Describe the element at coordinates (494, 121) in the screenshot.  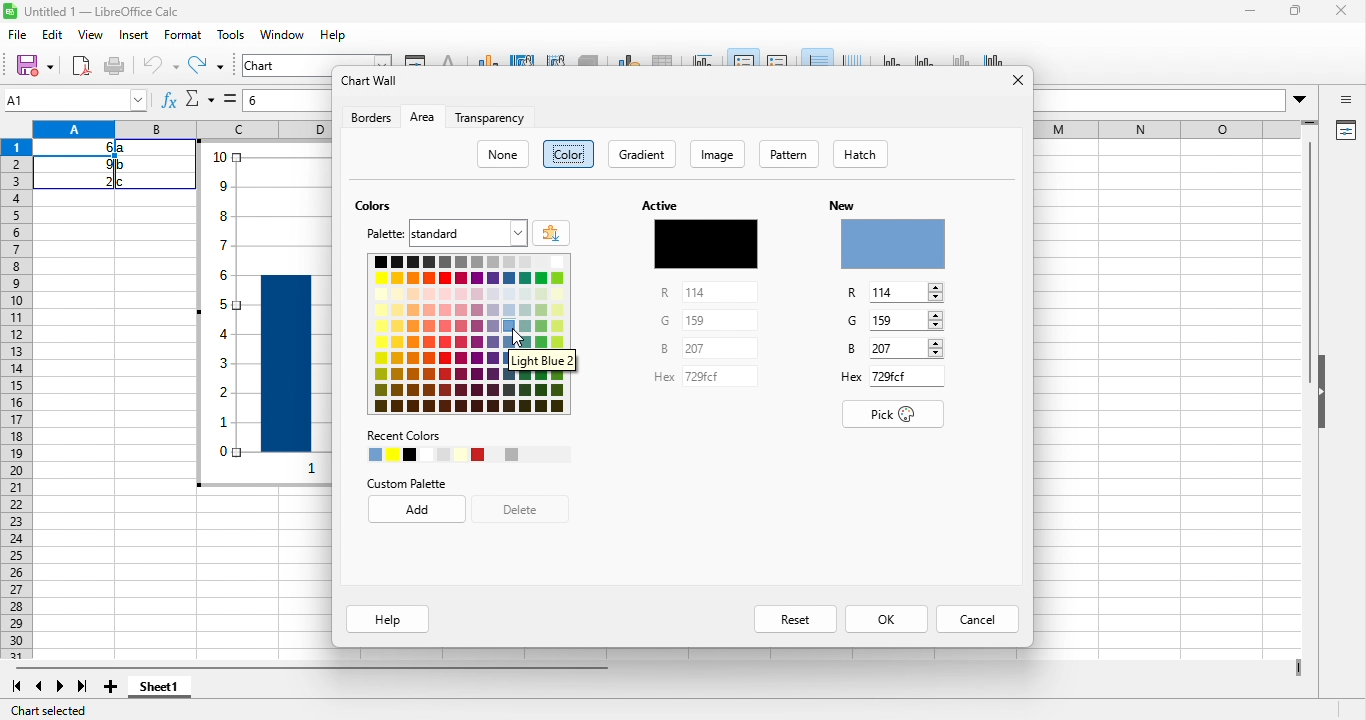
I see `transparency` at that location.